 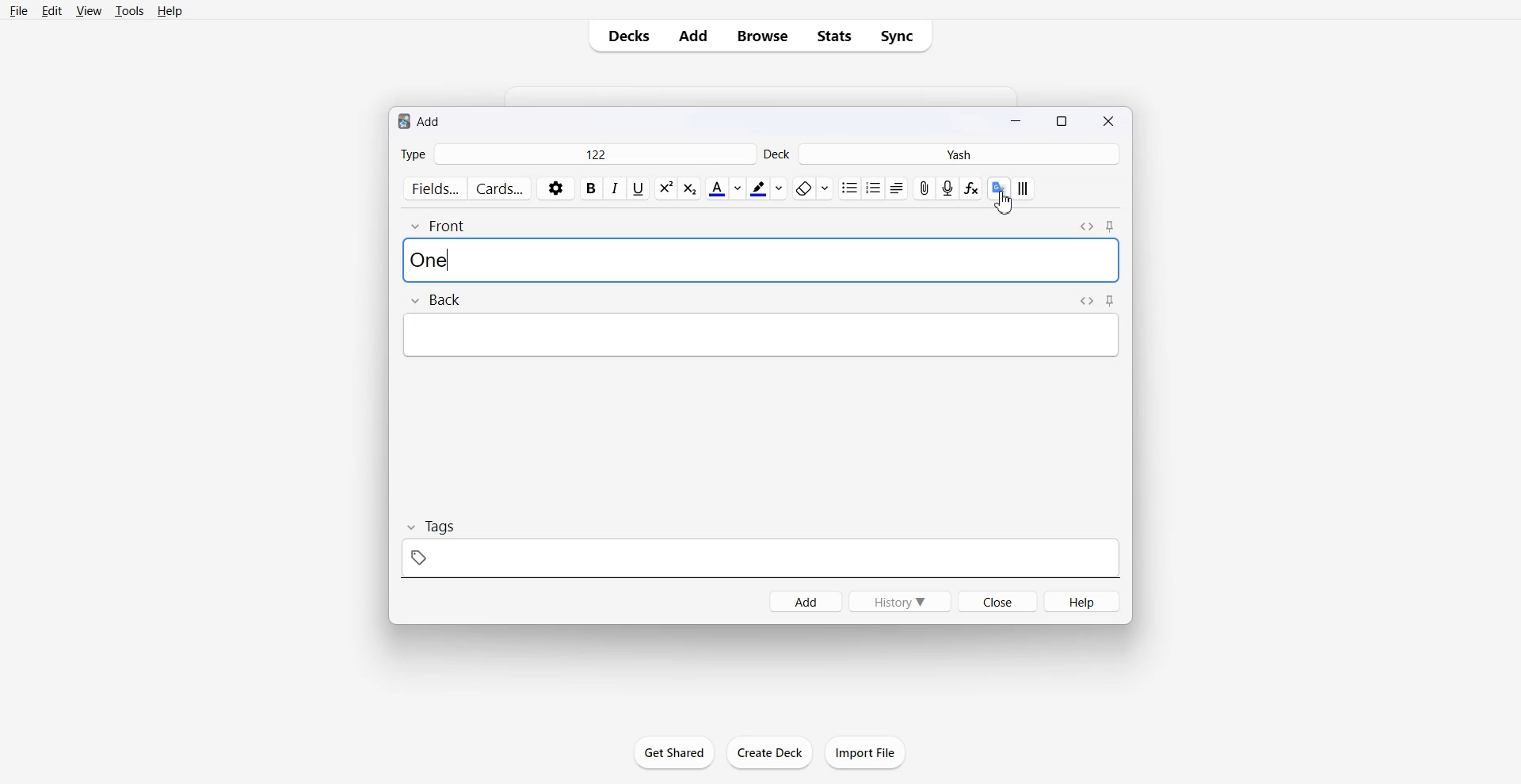 What do you see at coordinates (924, 188) in the screenshot?
I see `Attach File` at bounding box center [924, 188].